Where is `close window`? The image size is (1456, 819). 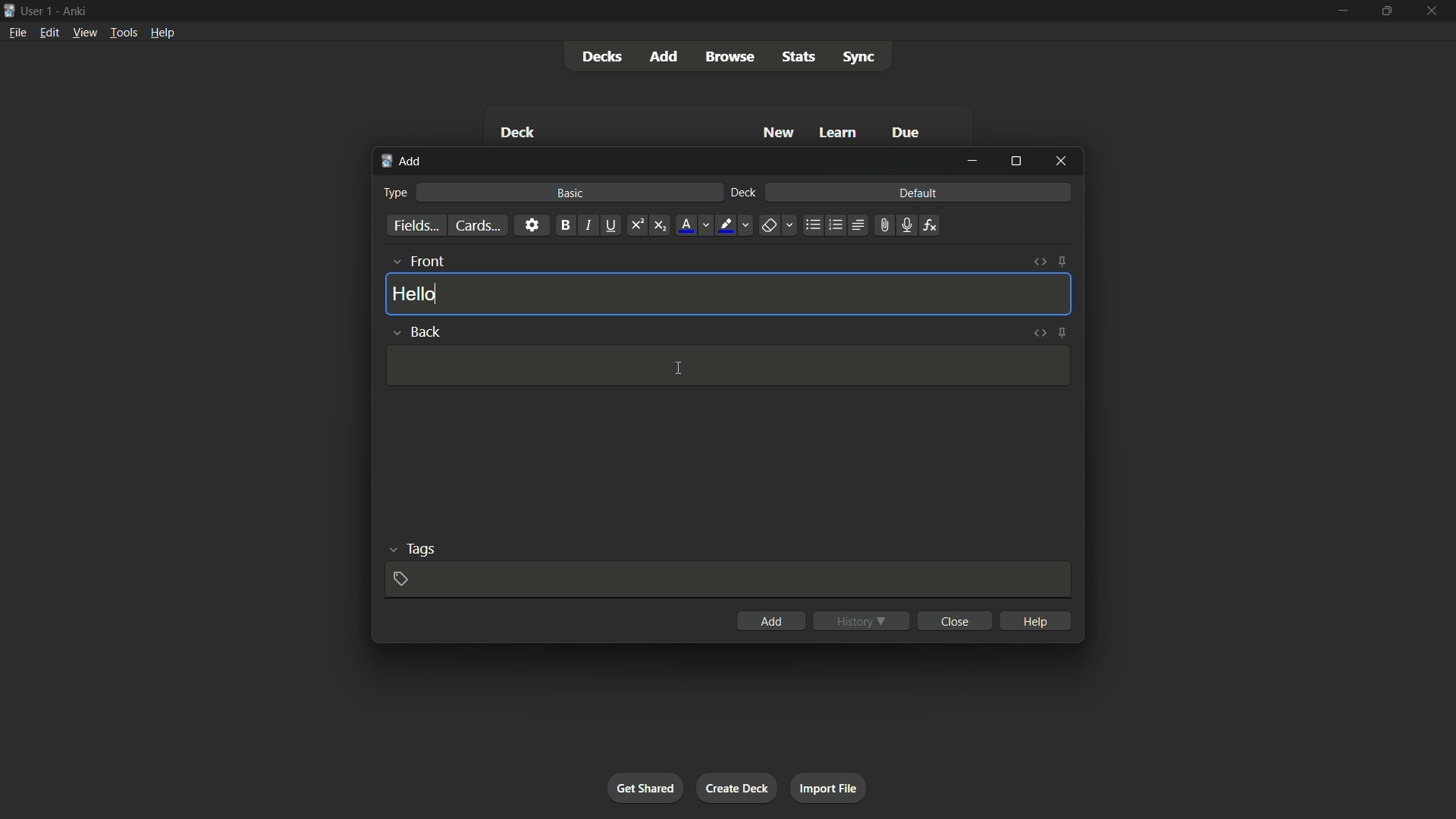
close window is located at coordinates (1061, 162).